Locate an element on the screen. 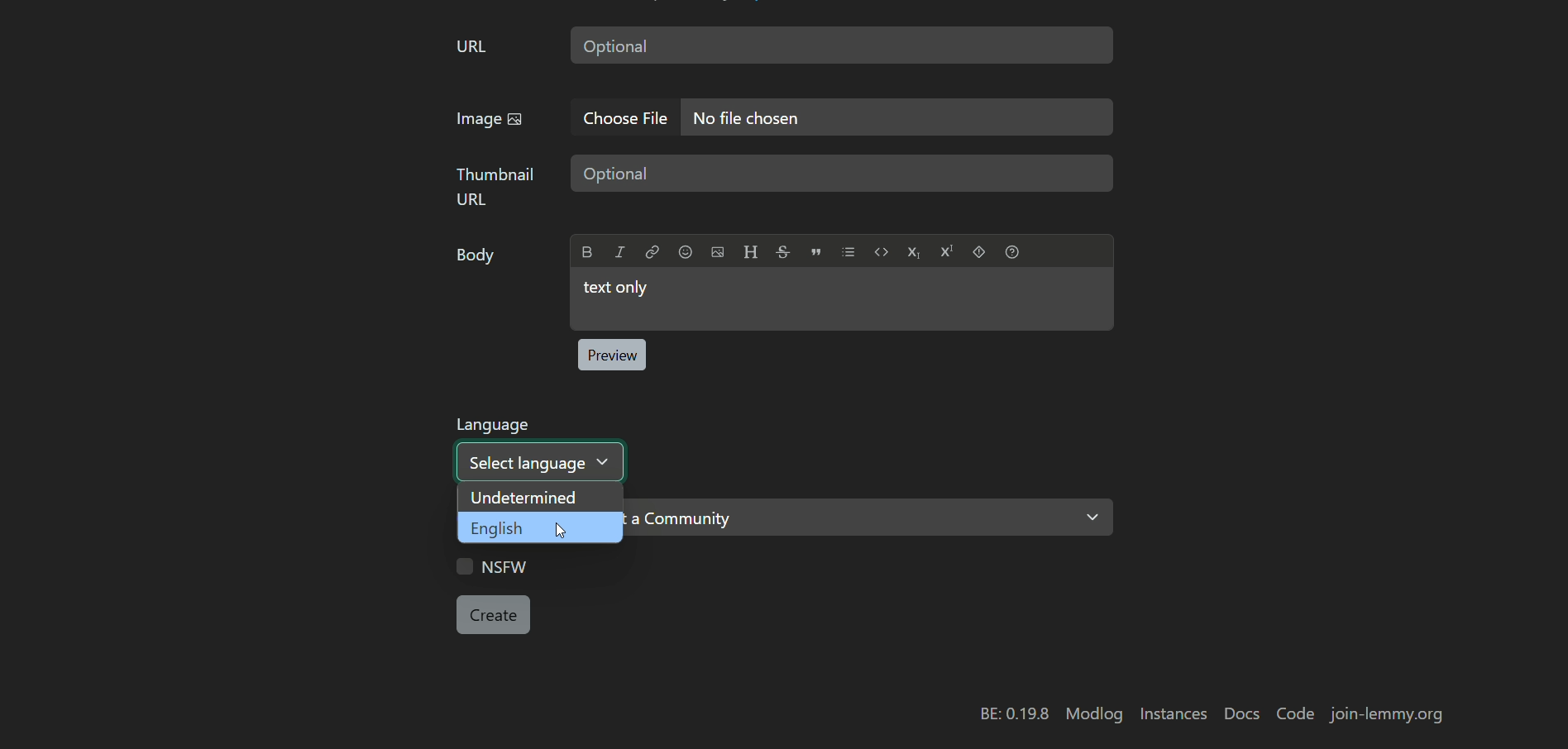 The width and height of the screenshot is (1568, 749). Formatting help is located at coordinates (1012, 251).